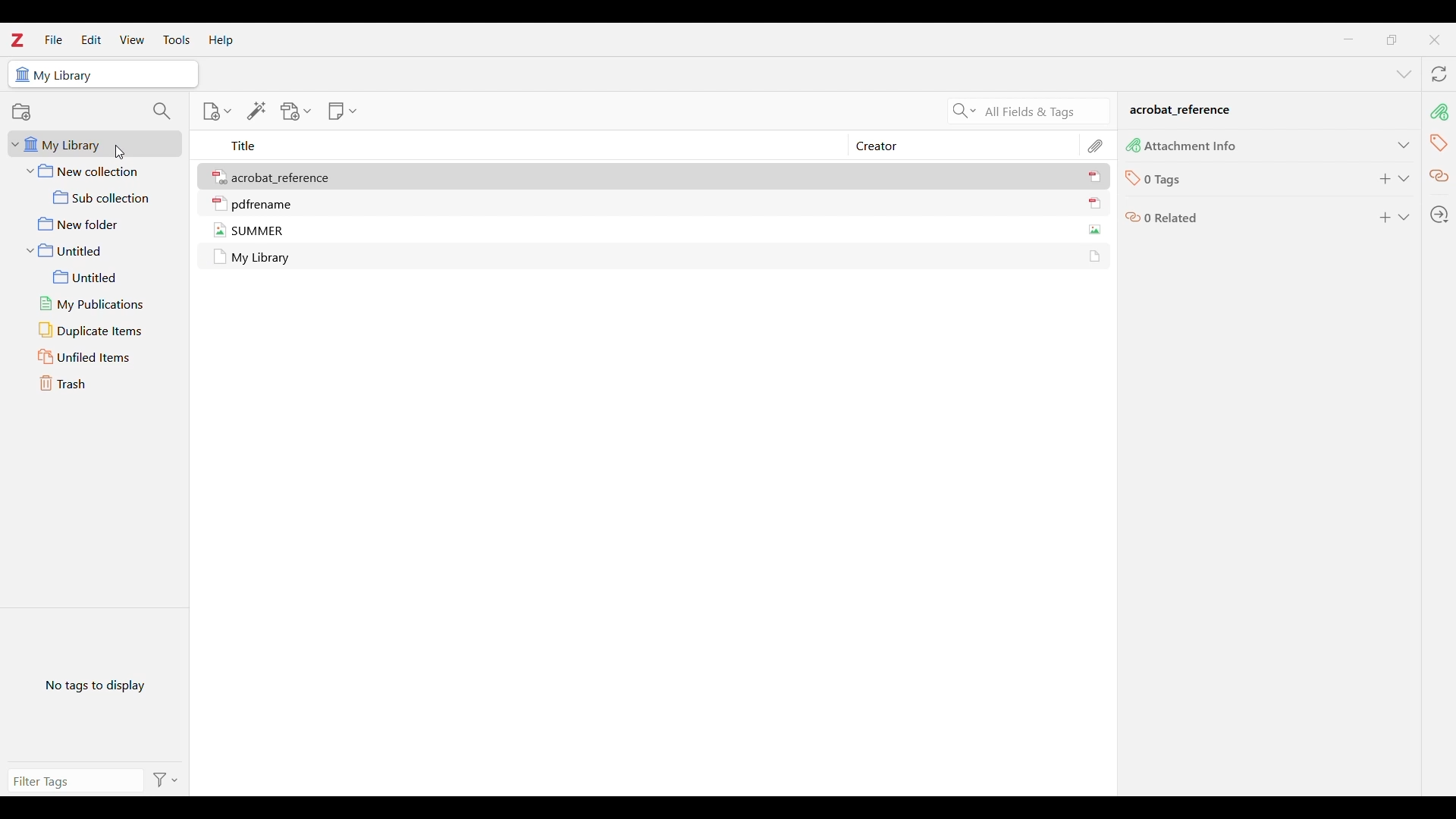 This screenshot has width=1456, height=819. What do you see at coordinates (100, 278) in the screenshot?
I see `Untitled sub folder` at bounding box center [100, 278].